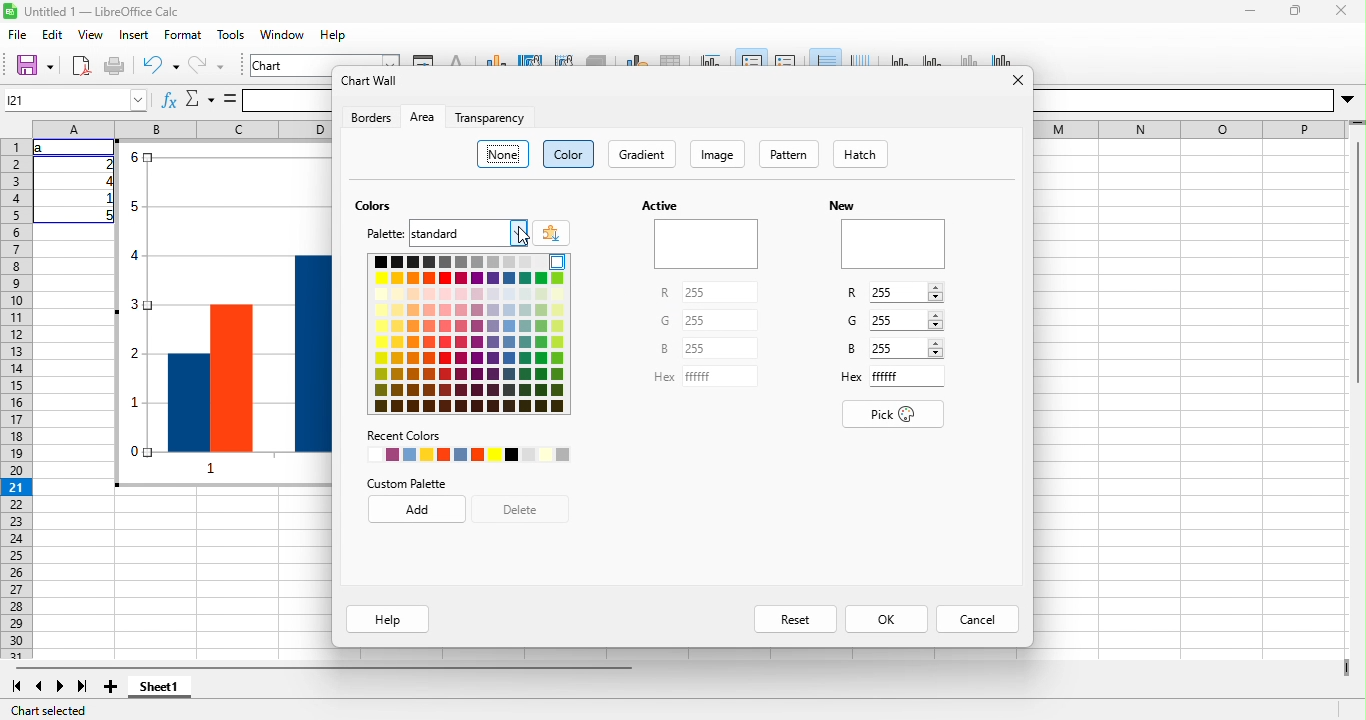 The width and height of the screenshot is (1366, 720). Describe the element at coordinates (423, 59) in the screenshot. I see `format selection` at that location.